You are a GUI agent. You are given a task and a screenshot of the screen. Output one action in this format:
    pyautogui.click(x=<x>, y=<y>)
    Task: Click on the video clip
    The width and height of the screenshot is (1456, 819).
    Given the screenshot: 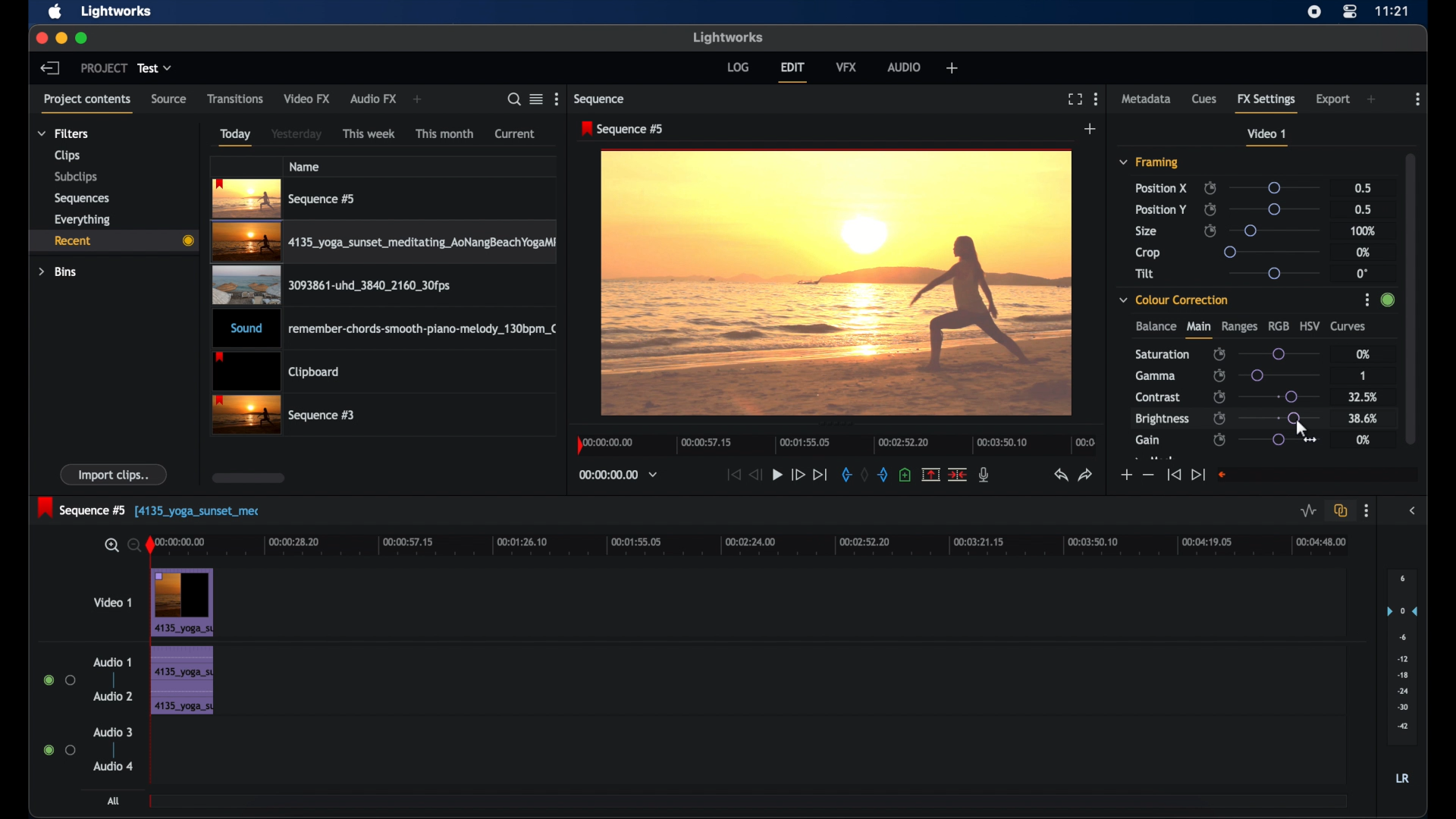 What is the action you would take?
    pyautogui.click(x=184, y=603)
    